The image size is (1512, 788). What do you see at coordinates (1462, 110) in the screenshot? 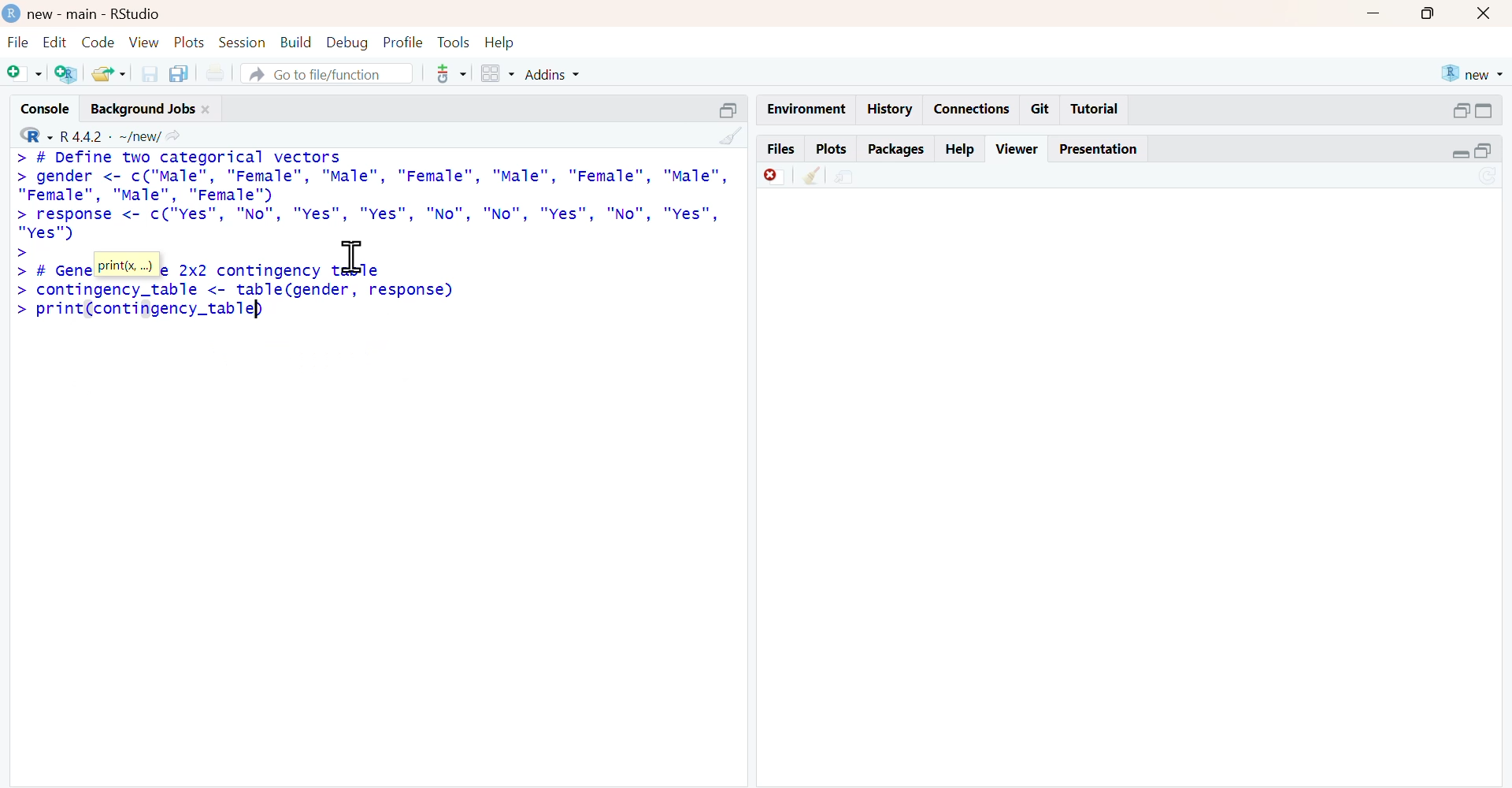
I see `open in separate window` at bounding box center [1462, 110].